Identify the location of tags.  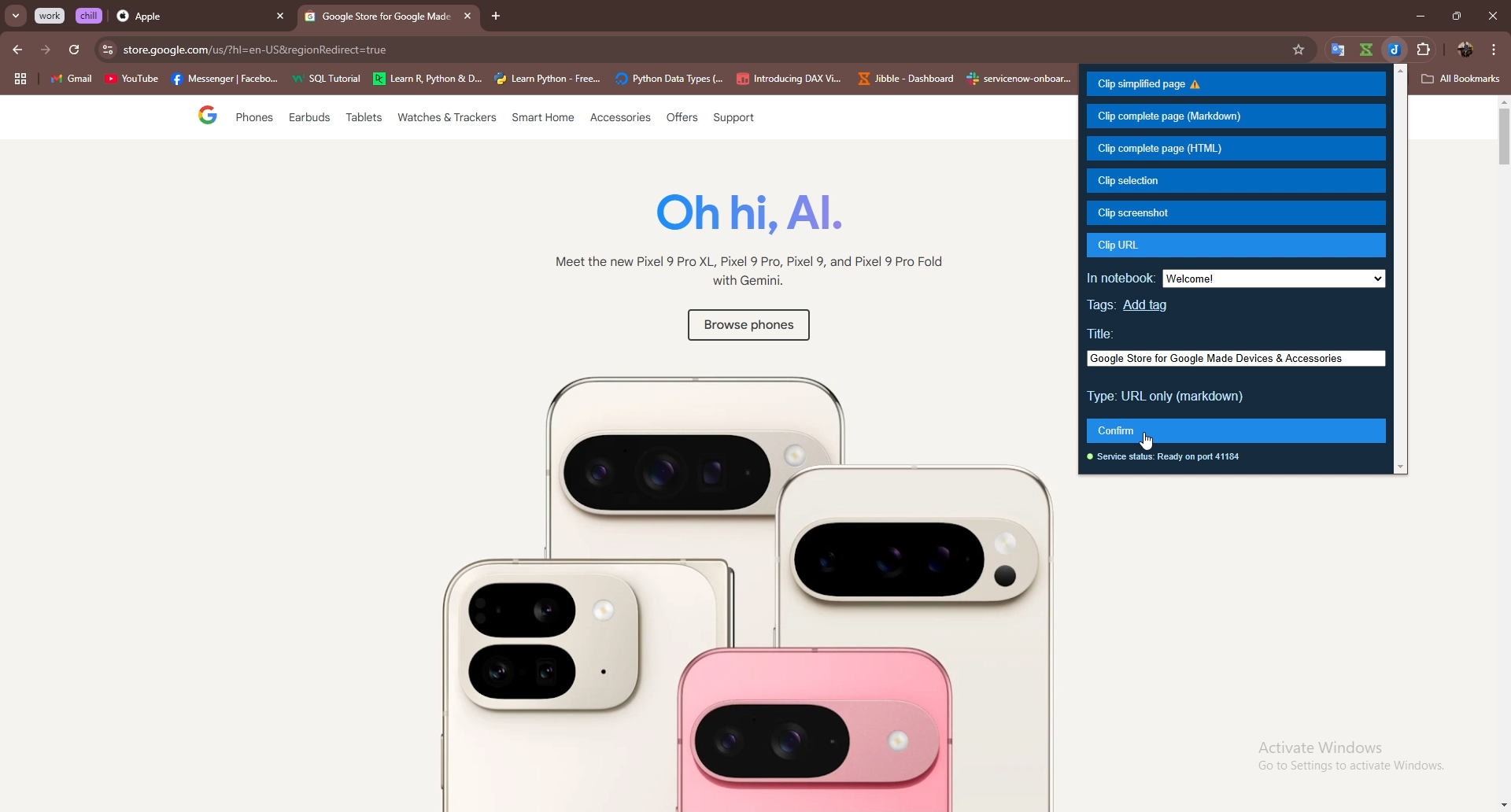
(1103, 305).